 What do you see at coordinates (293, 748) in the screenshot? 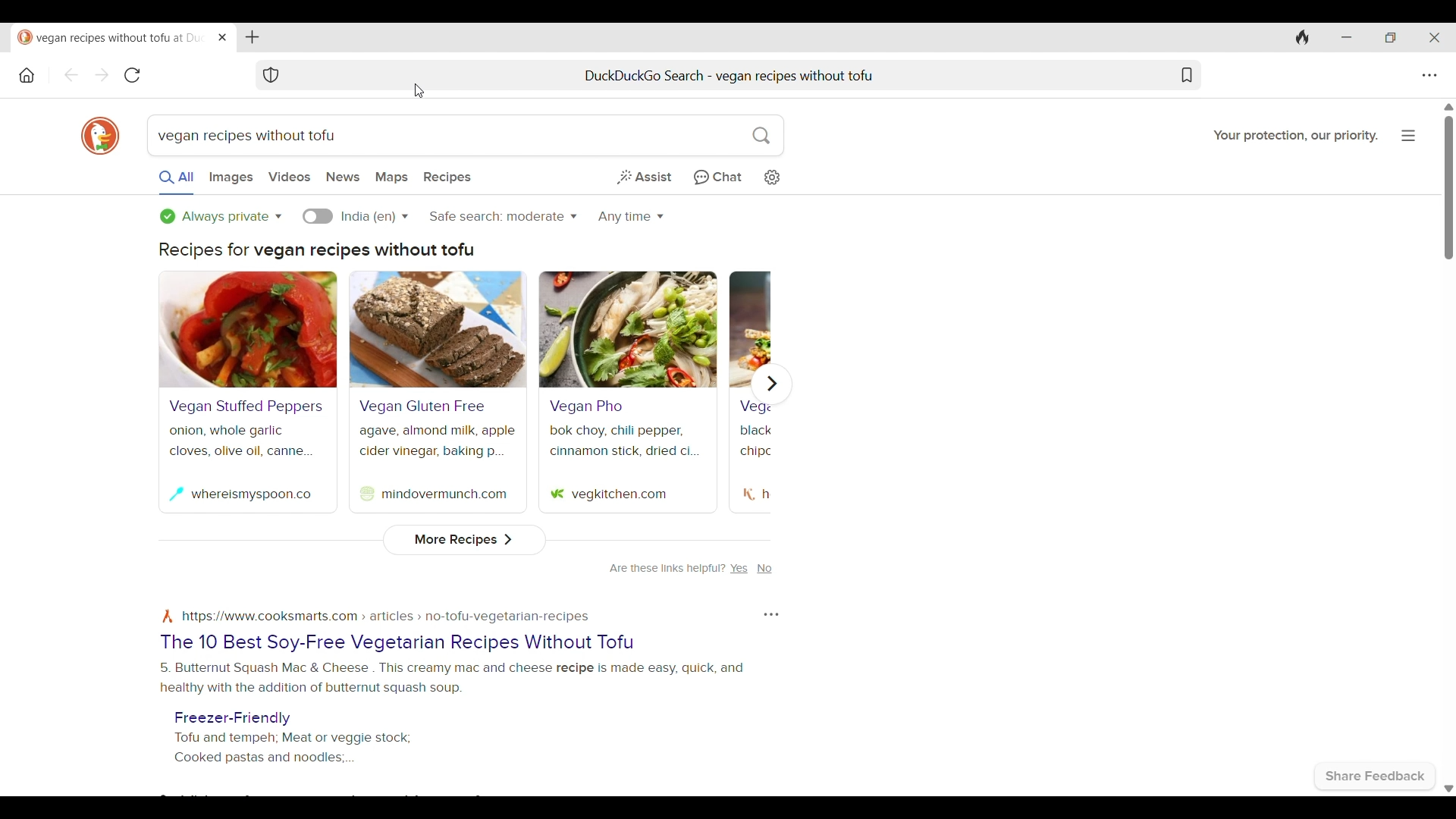
I see `Tofu and tempeh; Meat or veggie stock; Cooked pastas and noodles...` at bounding box center [293, 748].